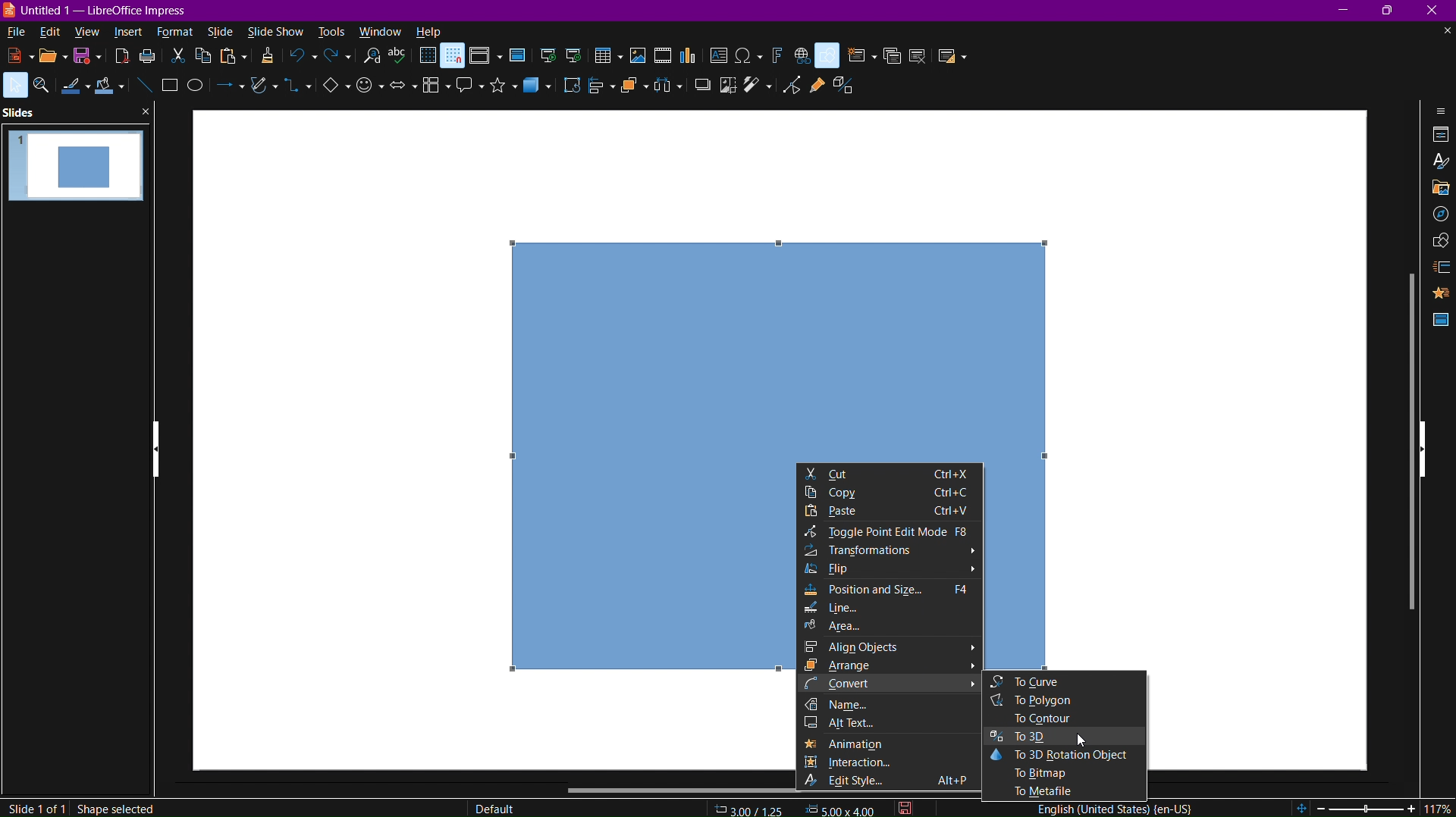  What do you see at coordinates (336, 58) in the screenshot?
I see `Redo` at bounding box center [336, 58].